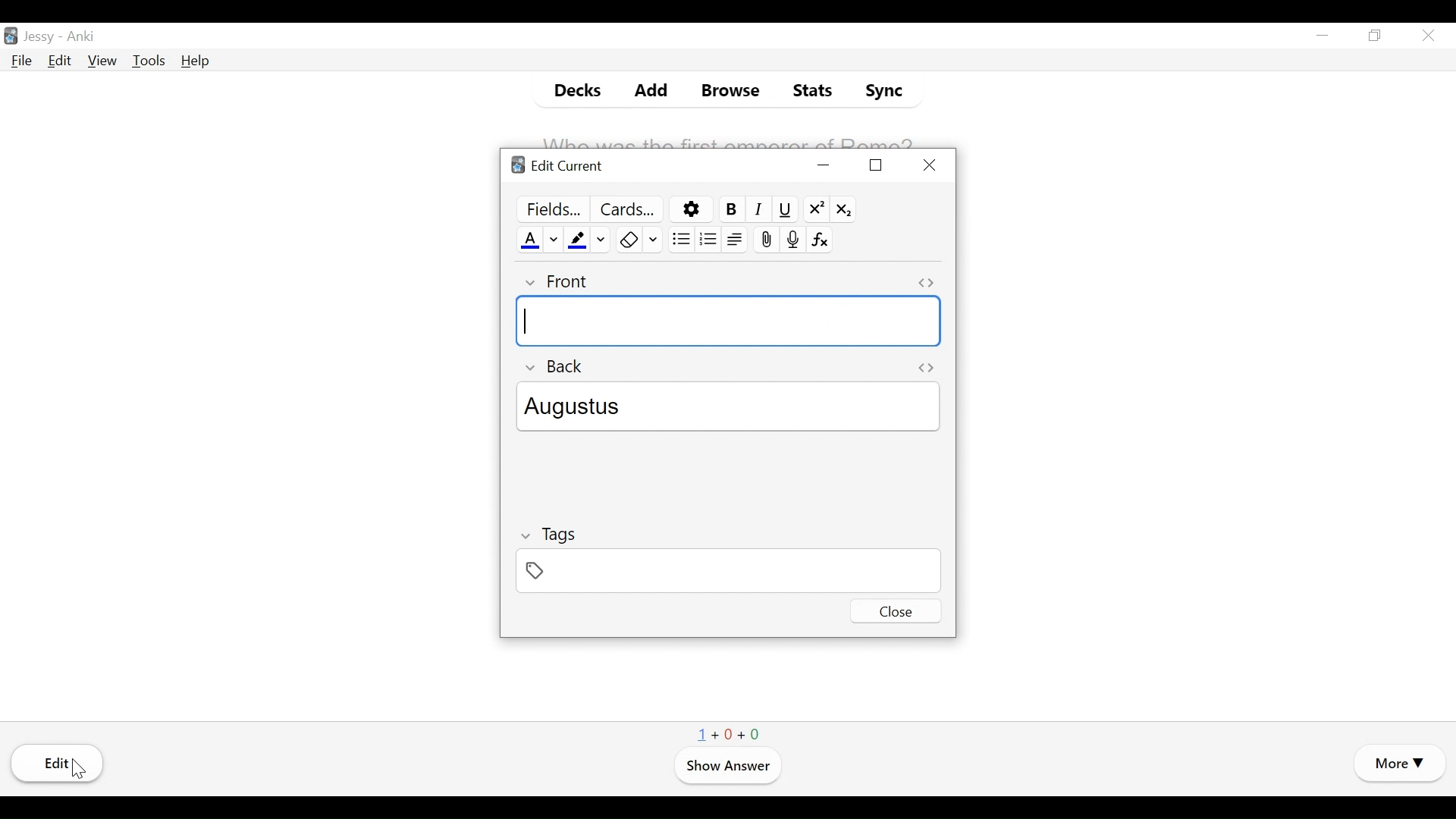  Describe the element at coordinates (554, 282) in the screenshot. I see `Front` at that location.